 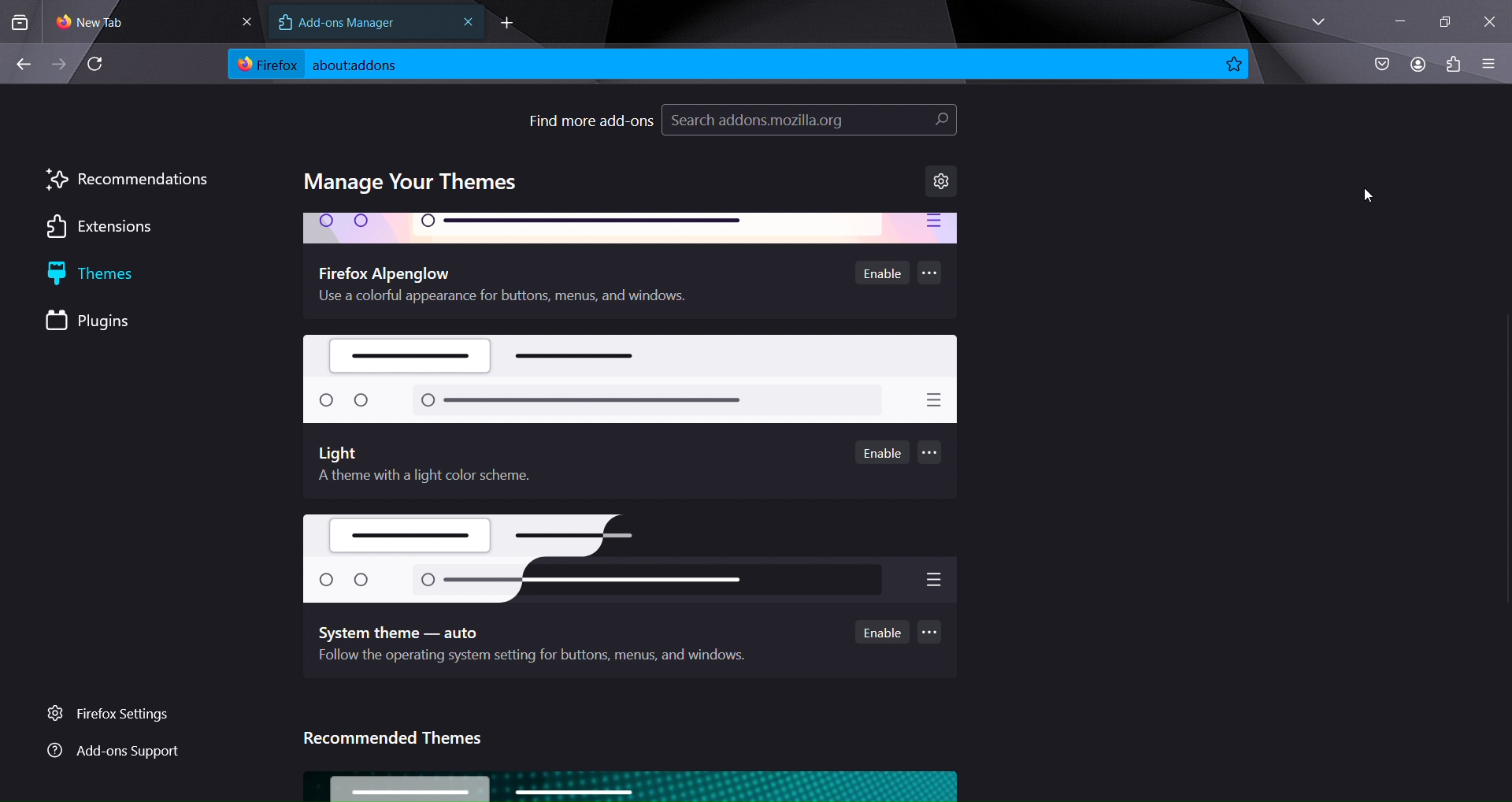 What do you see at coordinates (809, 122) in the screenshot?
I see `search addons.mozilla.org` at bounding box center [809, 122].